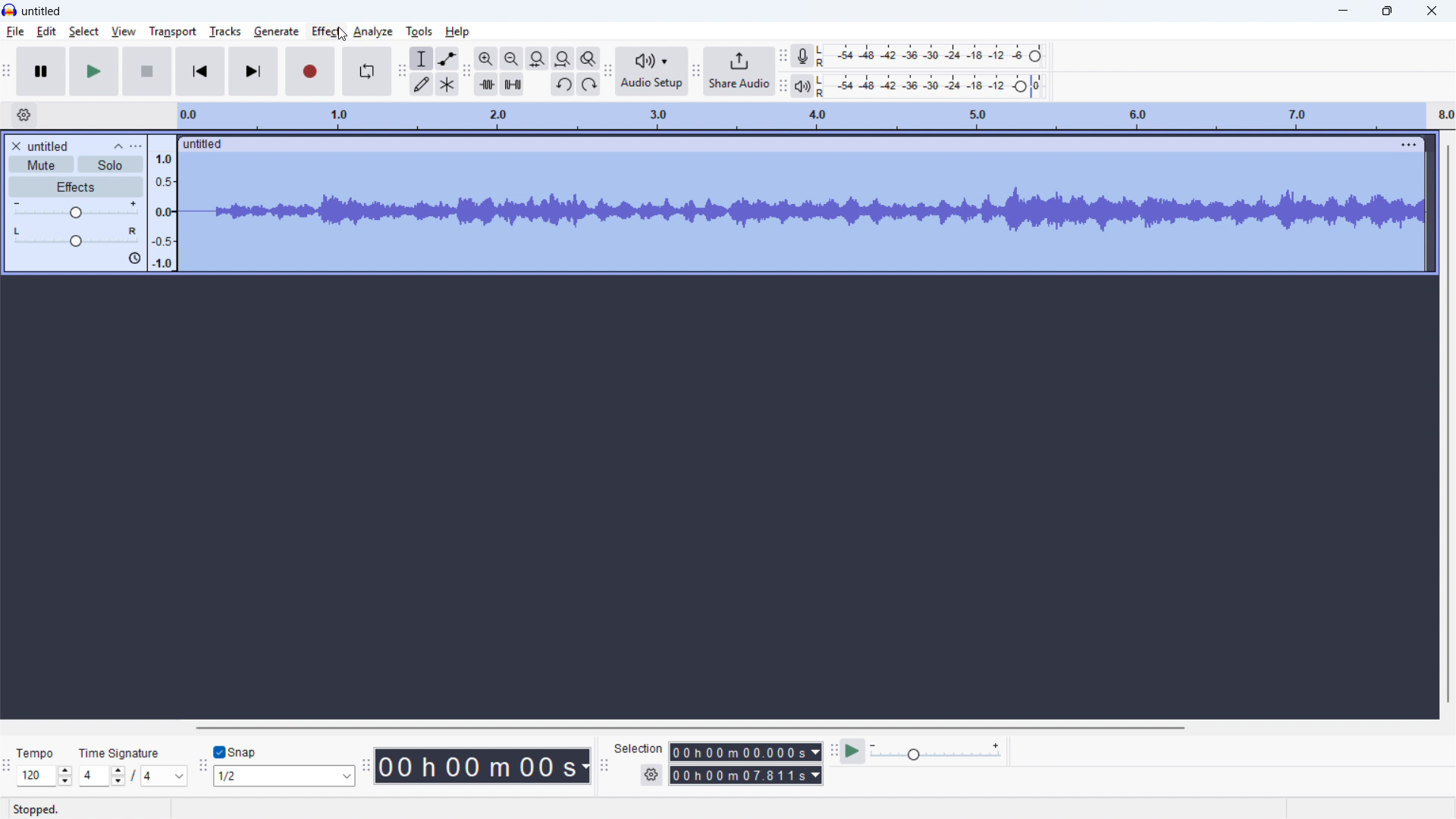 The width and height of the screenshot is (1456, 819). What do you see at coordinates (15, 146) in the screenshot?
I see `remove track` at bounding box center [15, 146].